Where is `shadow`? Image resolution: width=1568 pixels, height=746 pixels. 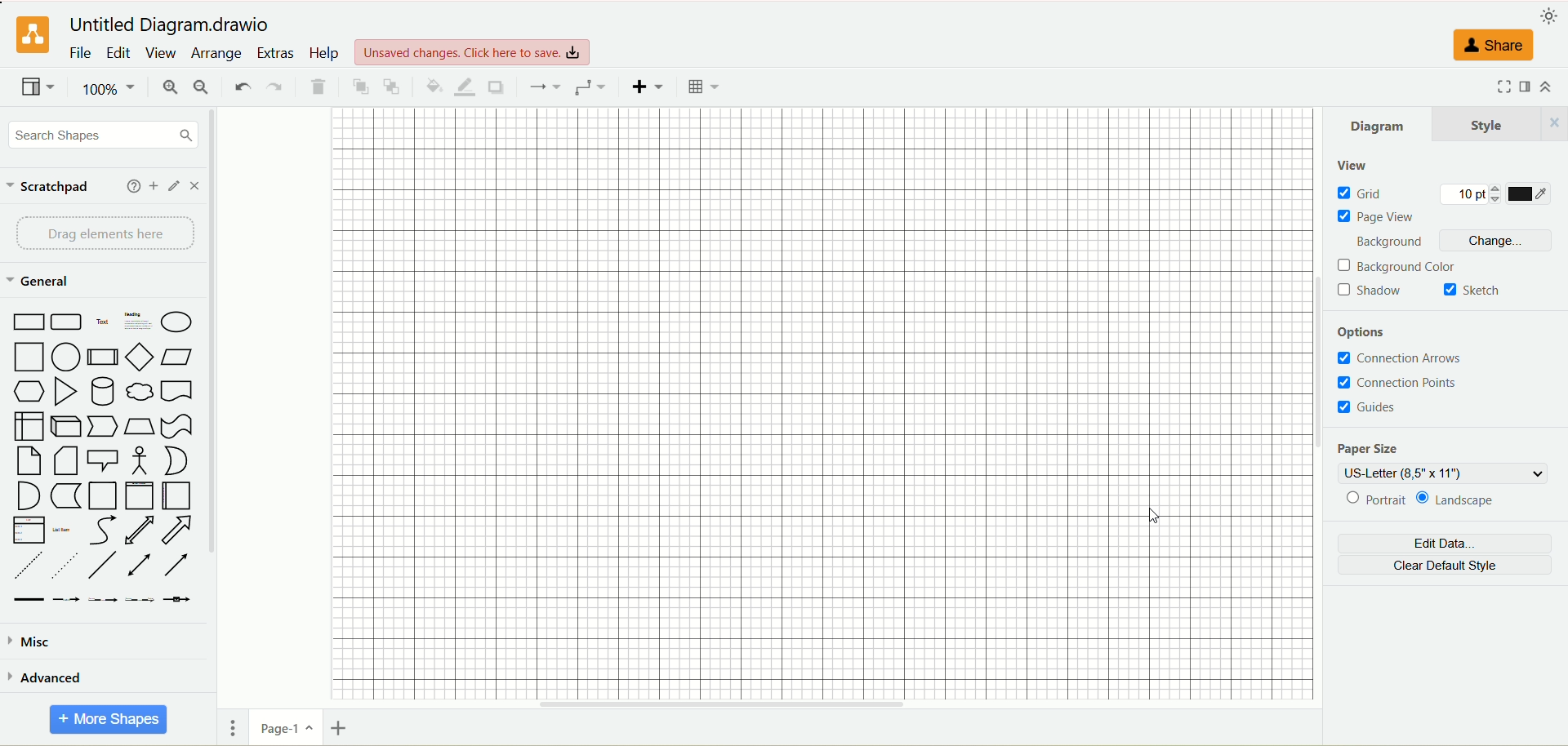
shadow is located at coordinates (1372, 291).